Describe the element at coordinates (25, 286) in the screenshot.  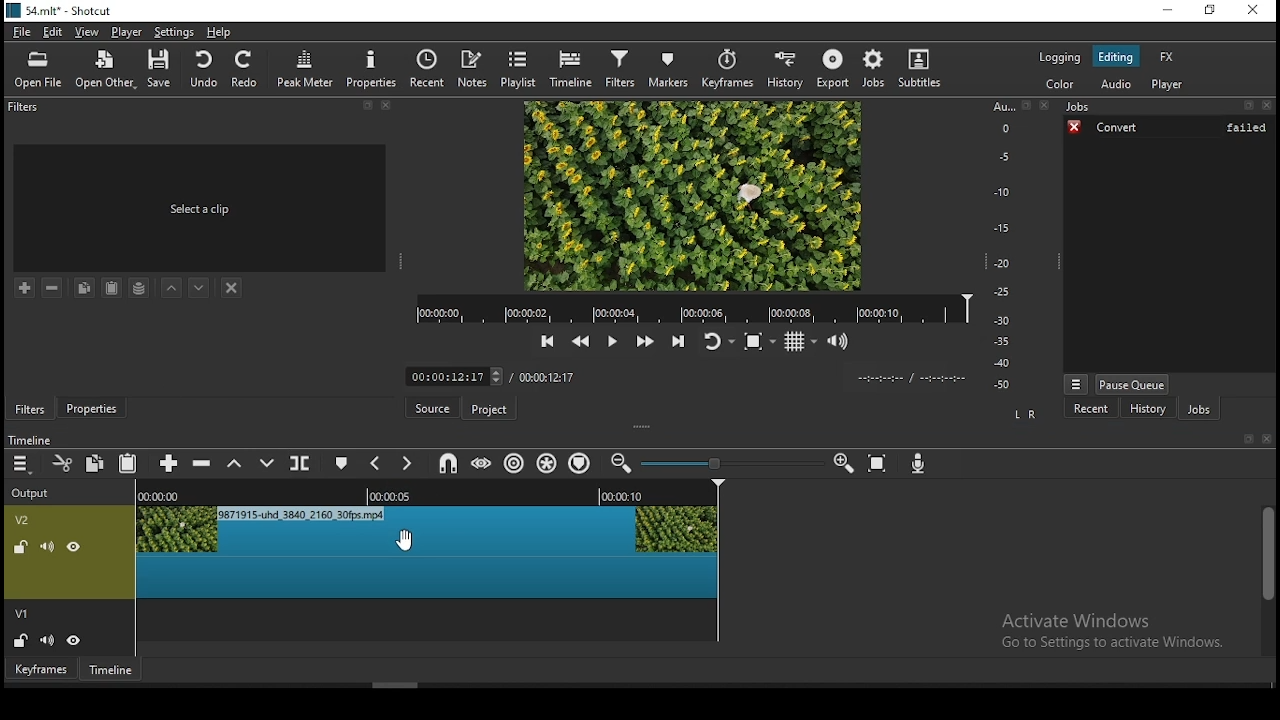
I see `add filter` at that location.